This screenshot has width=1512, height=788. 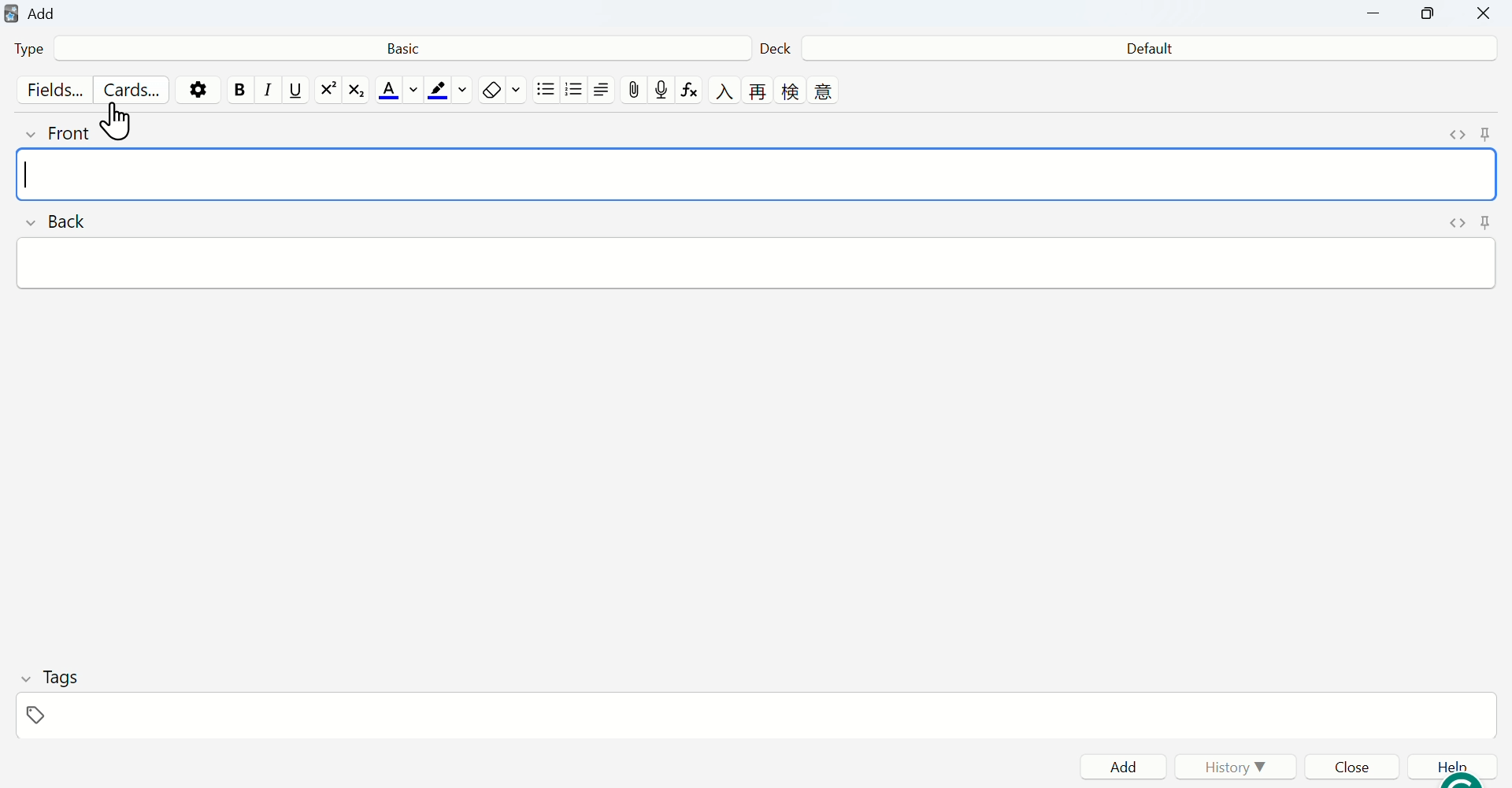 What do you see at coordinates (462, 90) in the screenshot?
I see `change color` at bounding box center [462, 90].